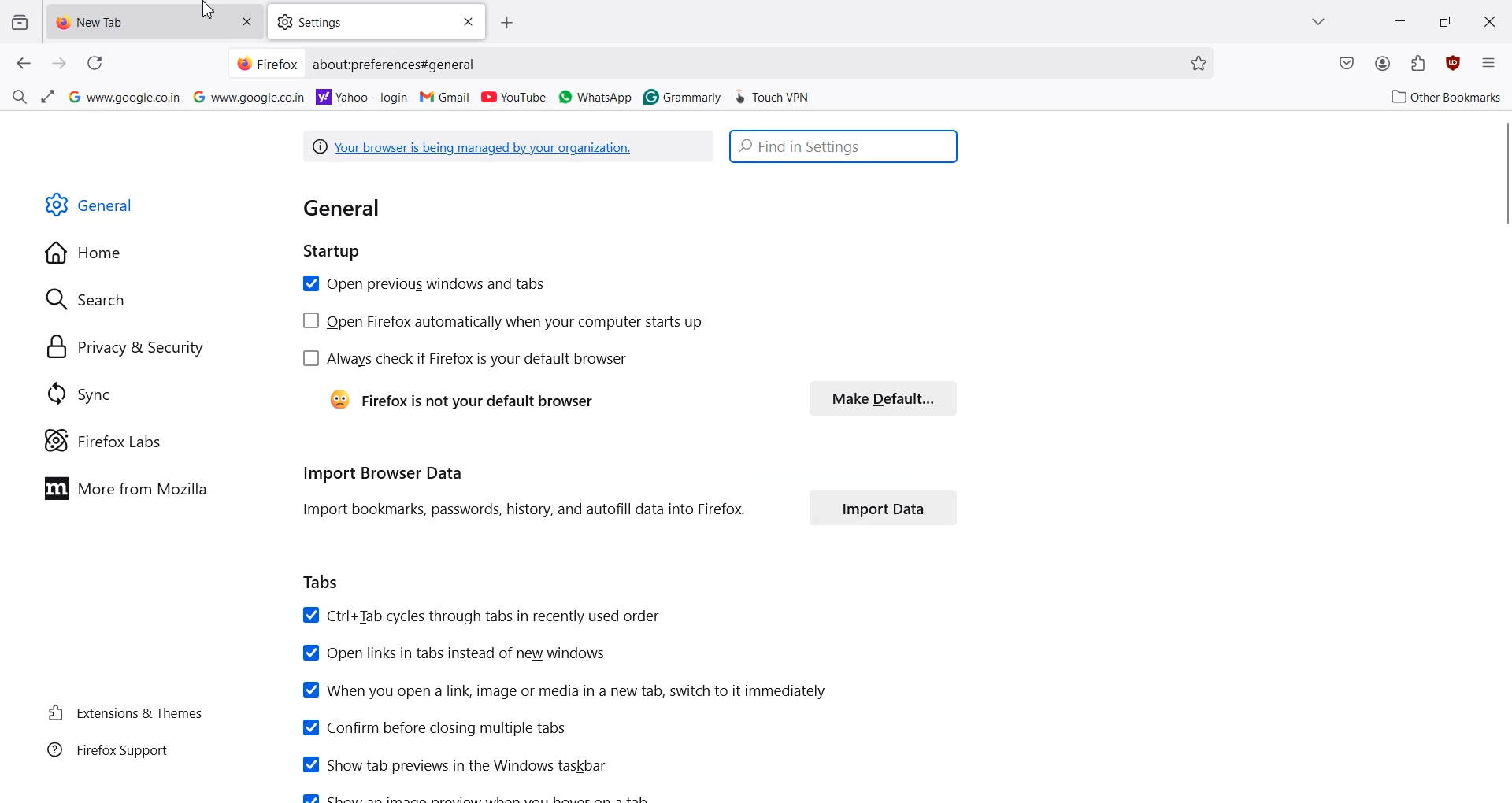  I want to click on Touch VPN Bookmark, so click(774, 94).